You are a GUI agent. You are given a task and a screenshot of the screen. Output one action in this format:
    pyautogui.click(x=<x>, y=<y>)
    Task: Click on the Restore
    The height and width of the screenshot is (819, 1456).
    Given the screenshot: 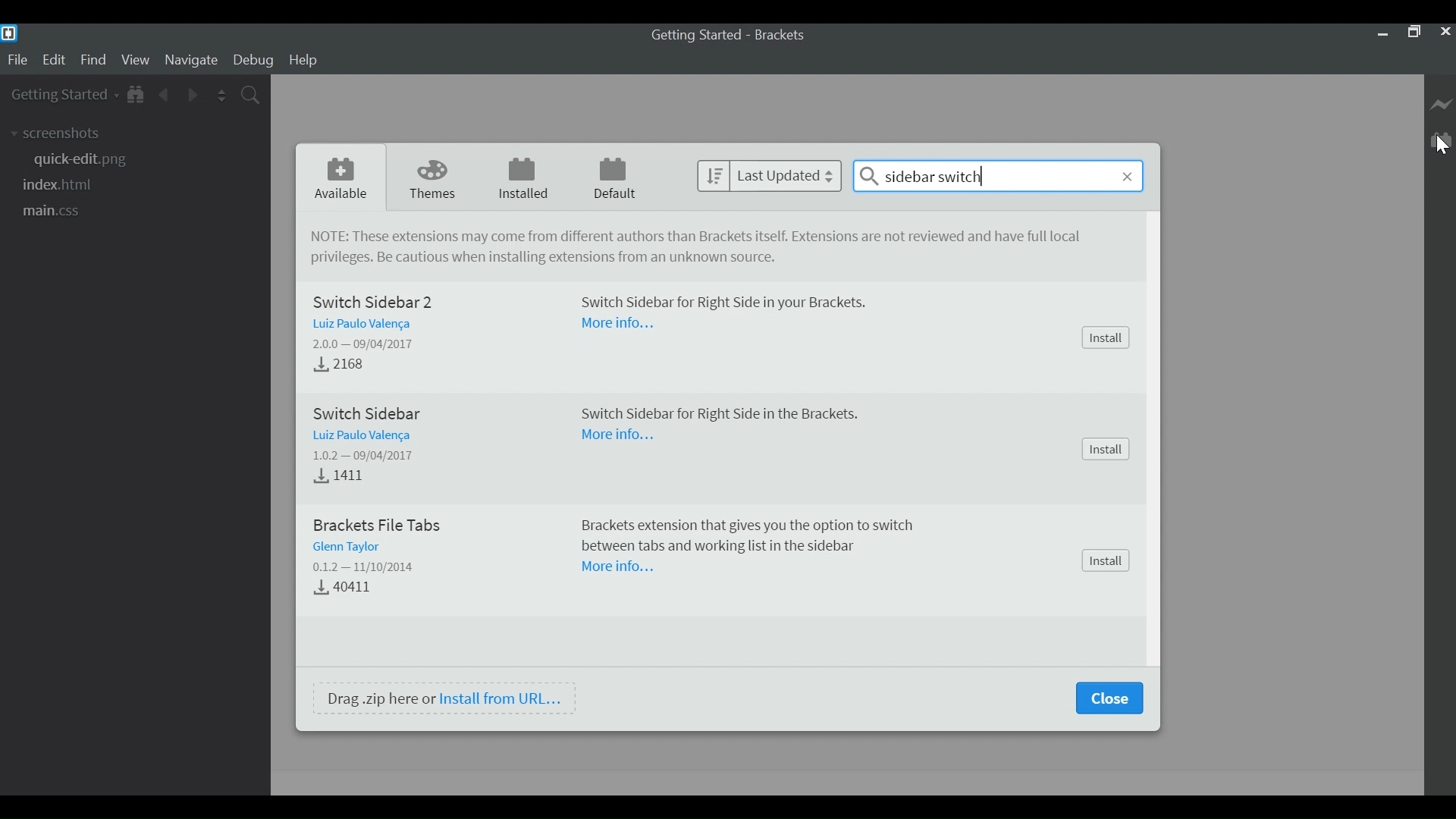 What is the action you would take?
    pyautogui.click(x=1414, y=33)
    